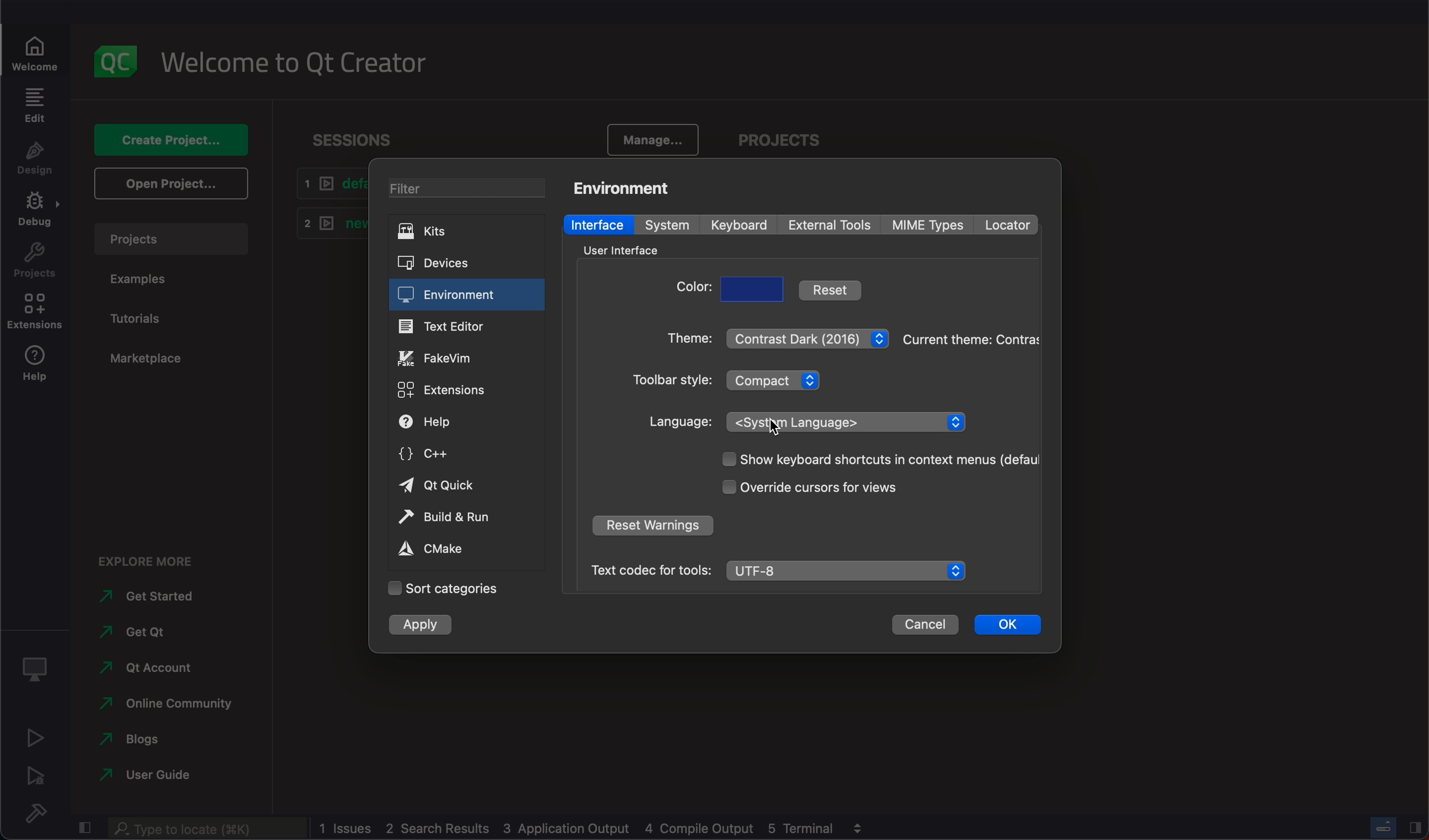  I want to click on environment, so click(623, 188).